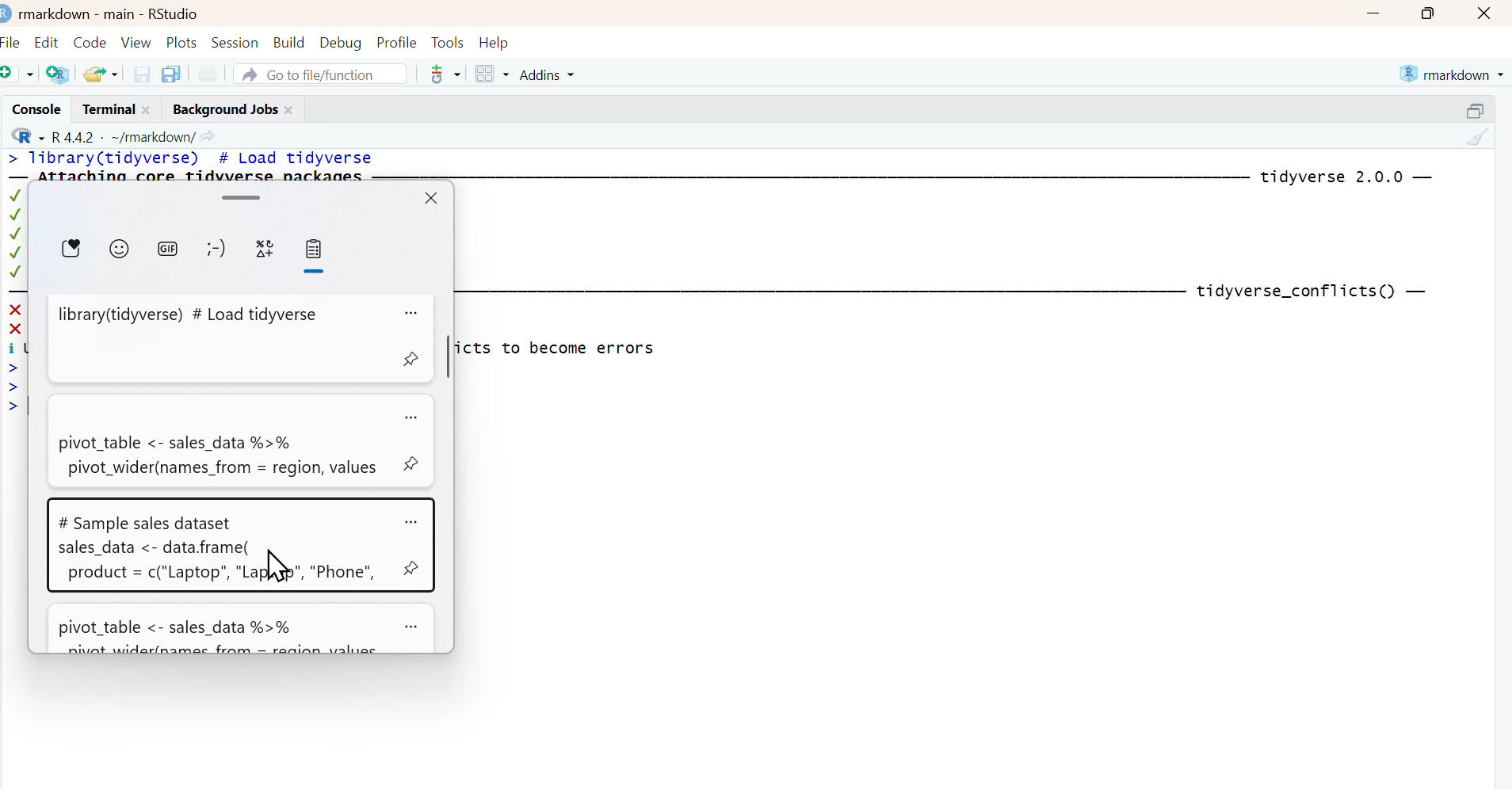 The width and height of the screenshot is (1512, 789). I want to click on emoticons, so click(220, 252).